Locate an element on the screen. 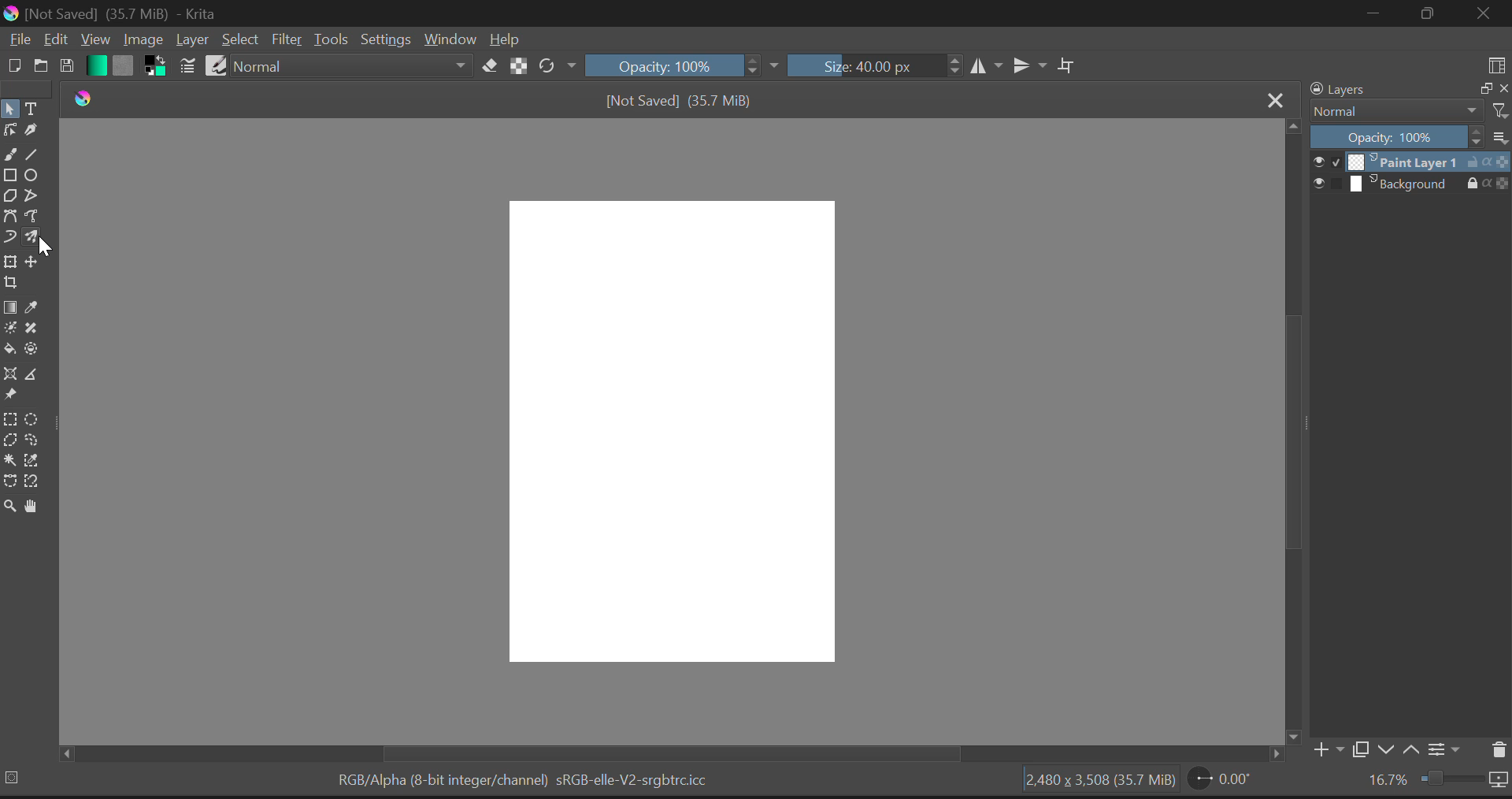 The width and height of the screenshot is (1512, 799). Window is located at coordinates (449, 40).